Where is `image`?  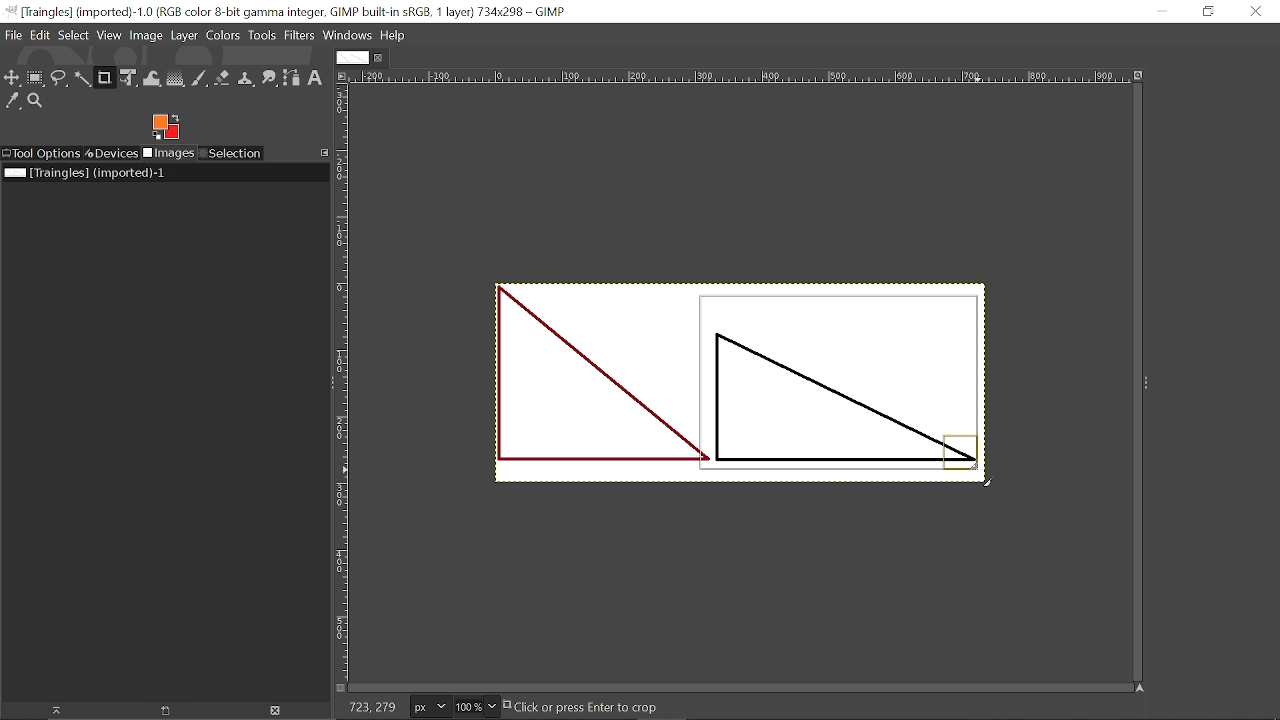
image is located at coordinates (570, 389).